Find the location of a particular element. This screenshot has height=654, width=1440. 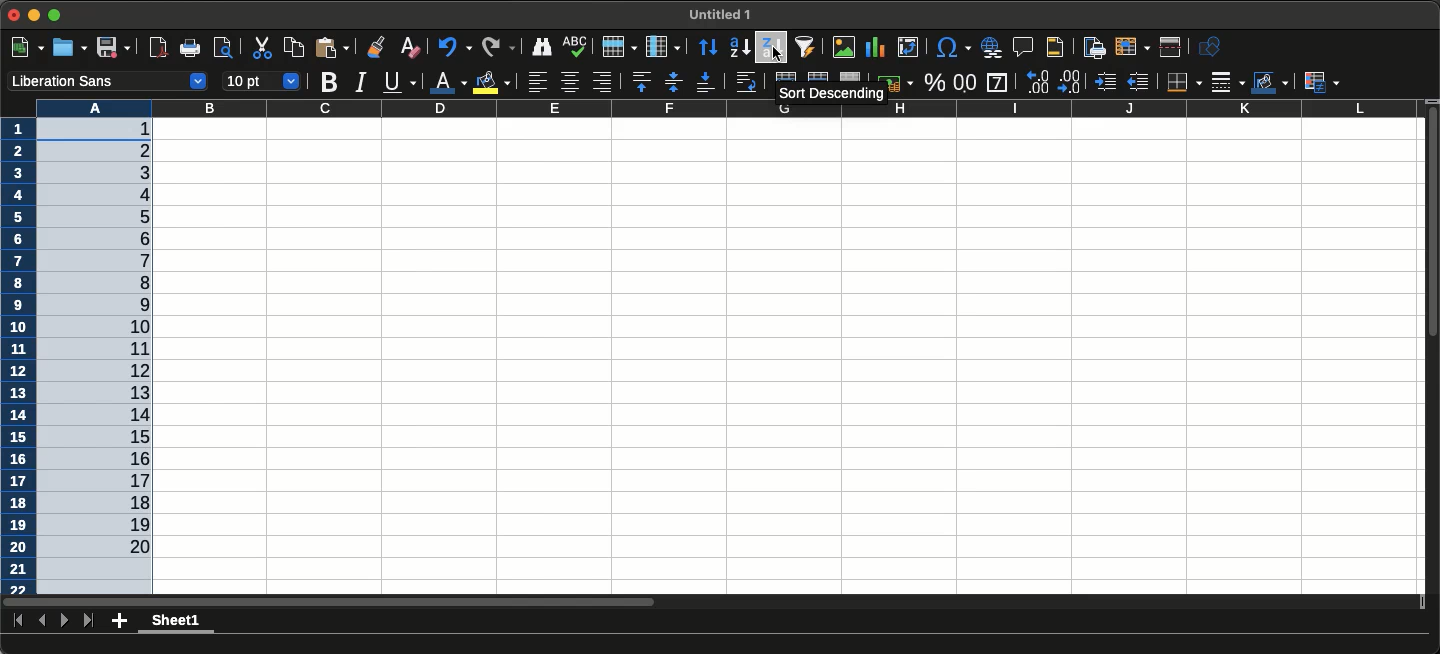

Conditional  is located at coordinates (1322, 81).